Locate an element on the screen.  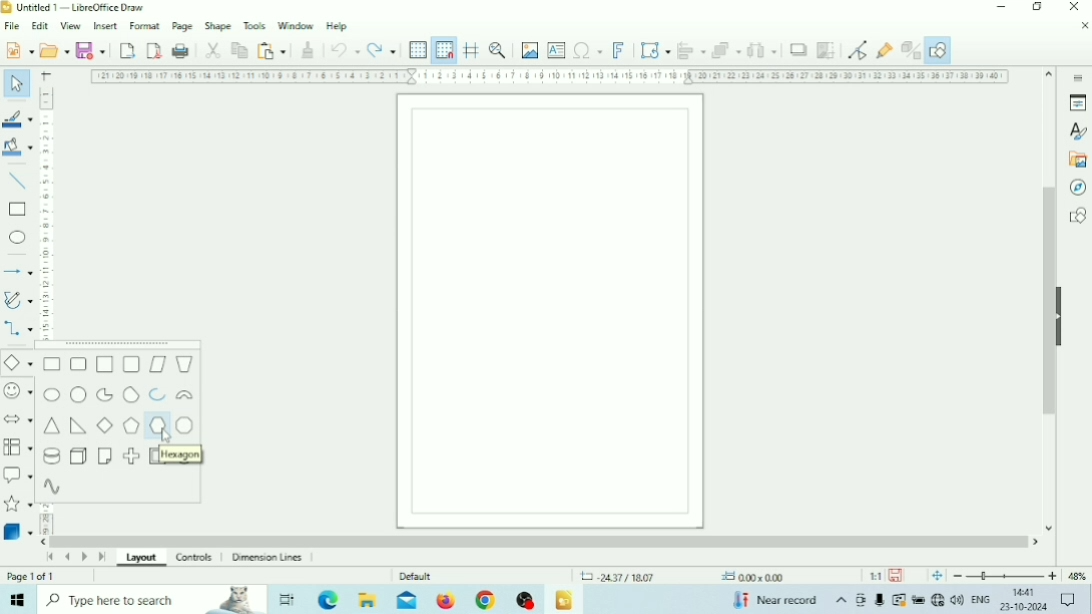
Isosceles Triangle is located at coordinates (52, 426).